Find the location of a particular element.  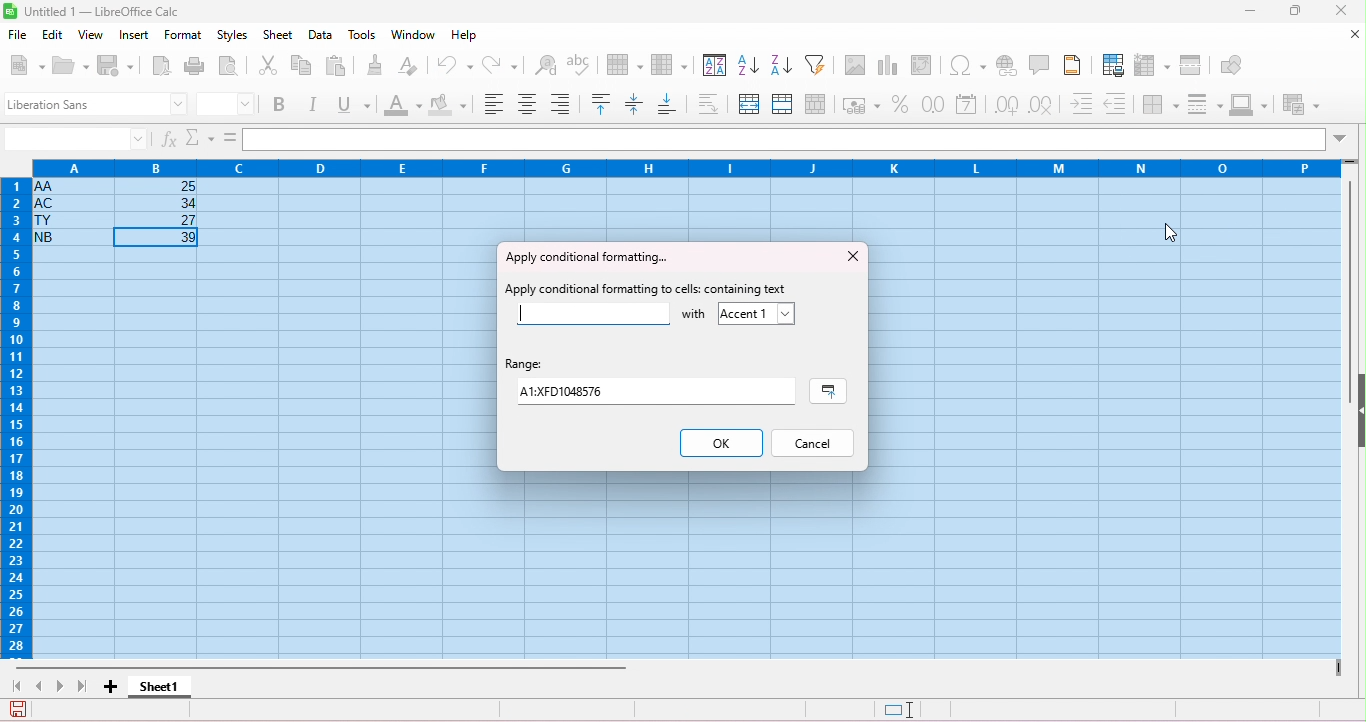

row is located at coordinates (624, 64).